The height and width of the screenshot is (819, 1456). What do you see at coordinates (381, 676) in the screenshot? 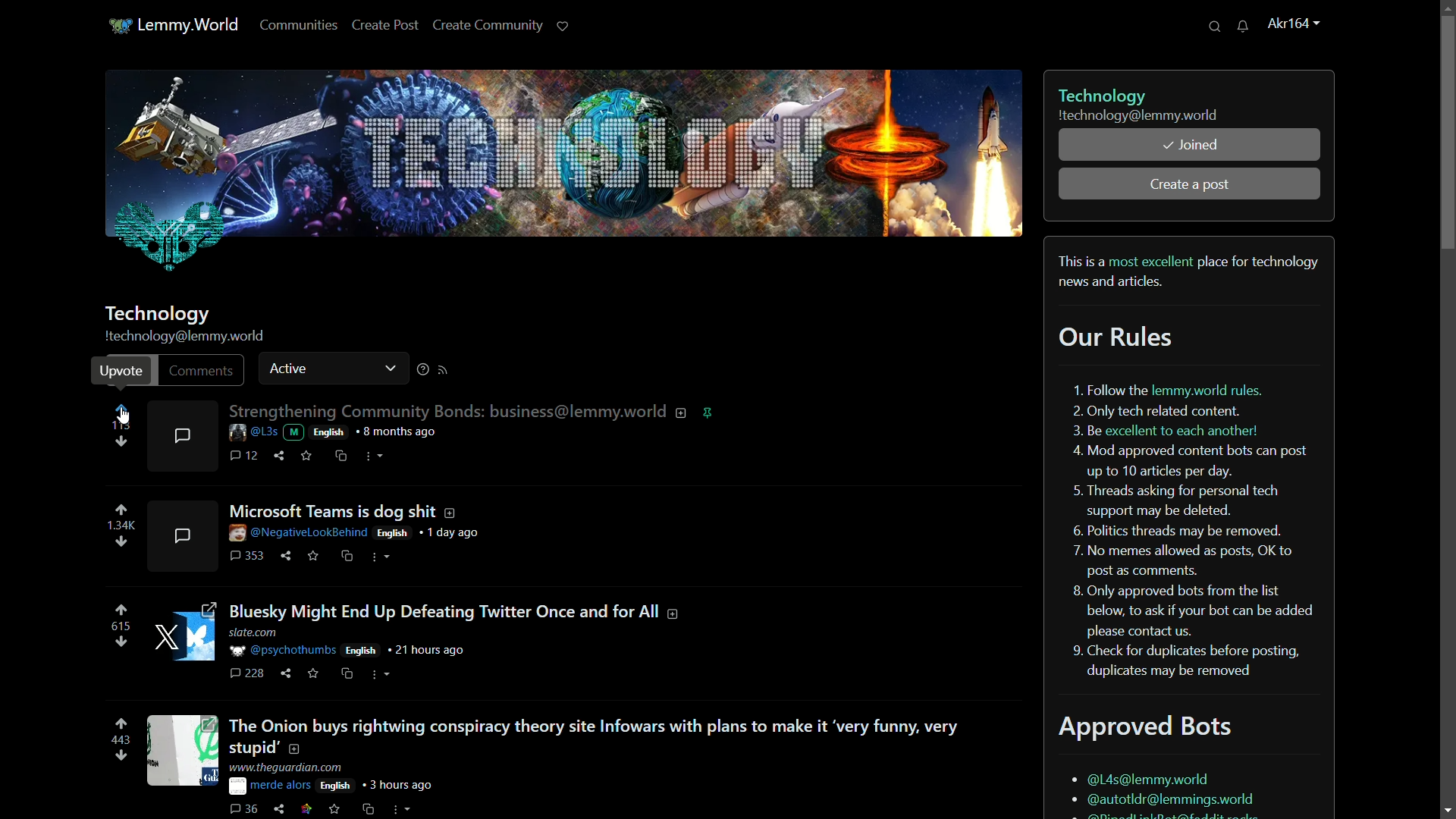
I see `more` at bounding box center [381, 676].